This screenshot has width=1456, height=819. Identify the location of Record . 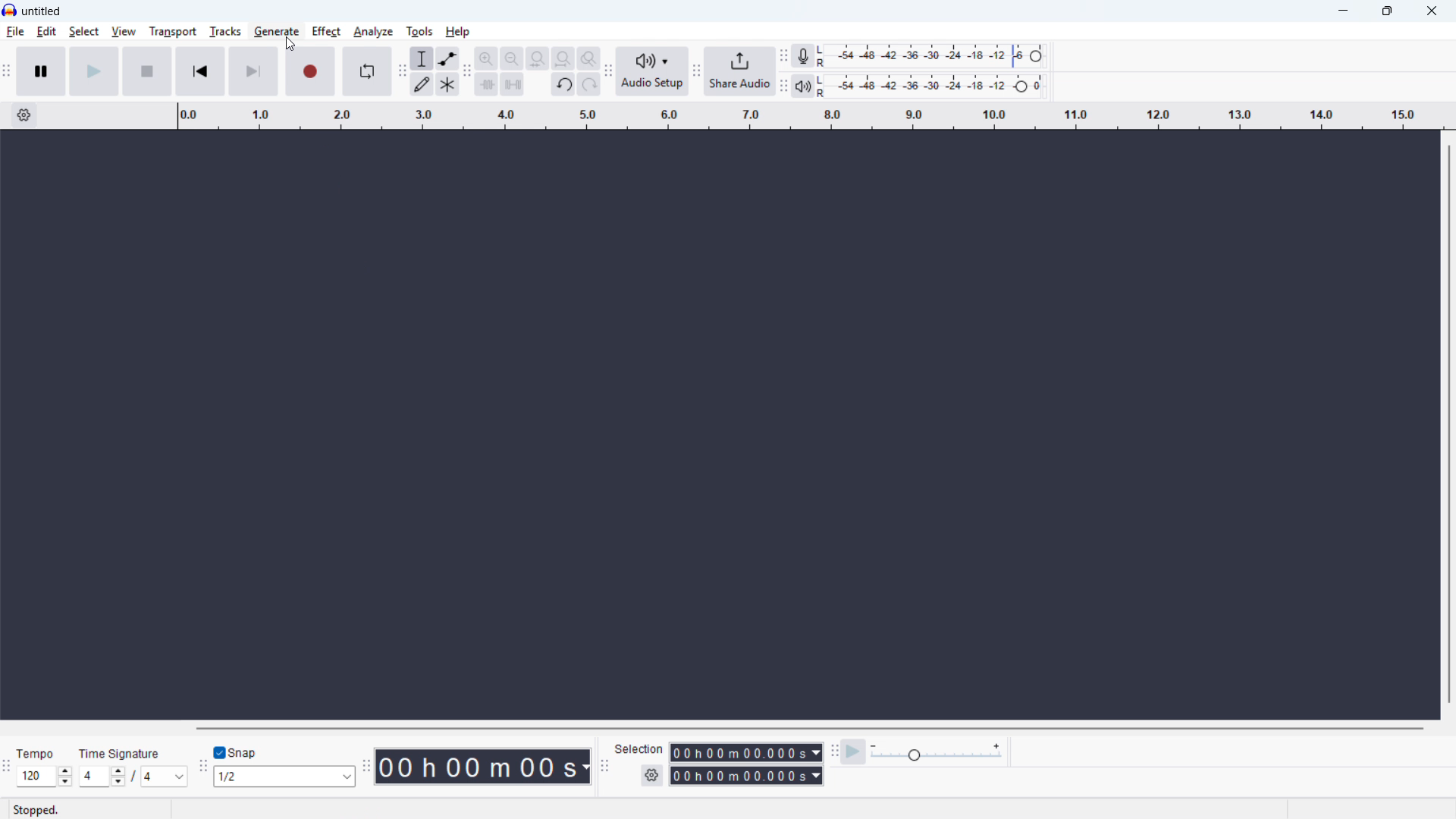
(311, 71).